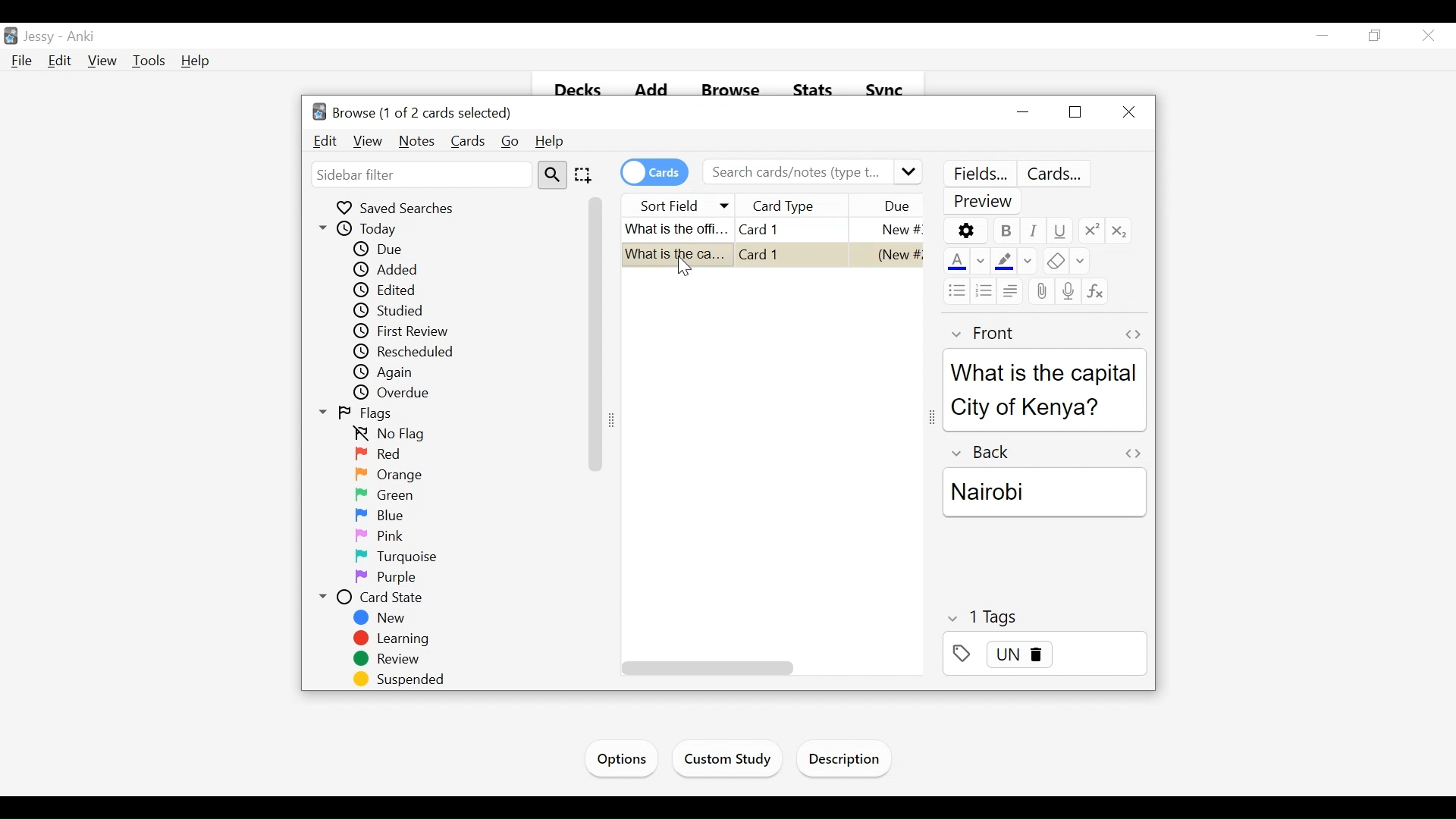 The width and height of the screenshot is (1456, 819). What do you see at coordinates (195, 61) in the screenshot?
I see `Help` at bounding box center [195, 61].